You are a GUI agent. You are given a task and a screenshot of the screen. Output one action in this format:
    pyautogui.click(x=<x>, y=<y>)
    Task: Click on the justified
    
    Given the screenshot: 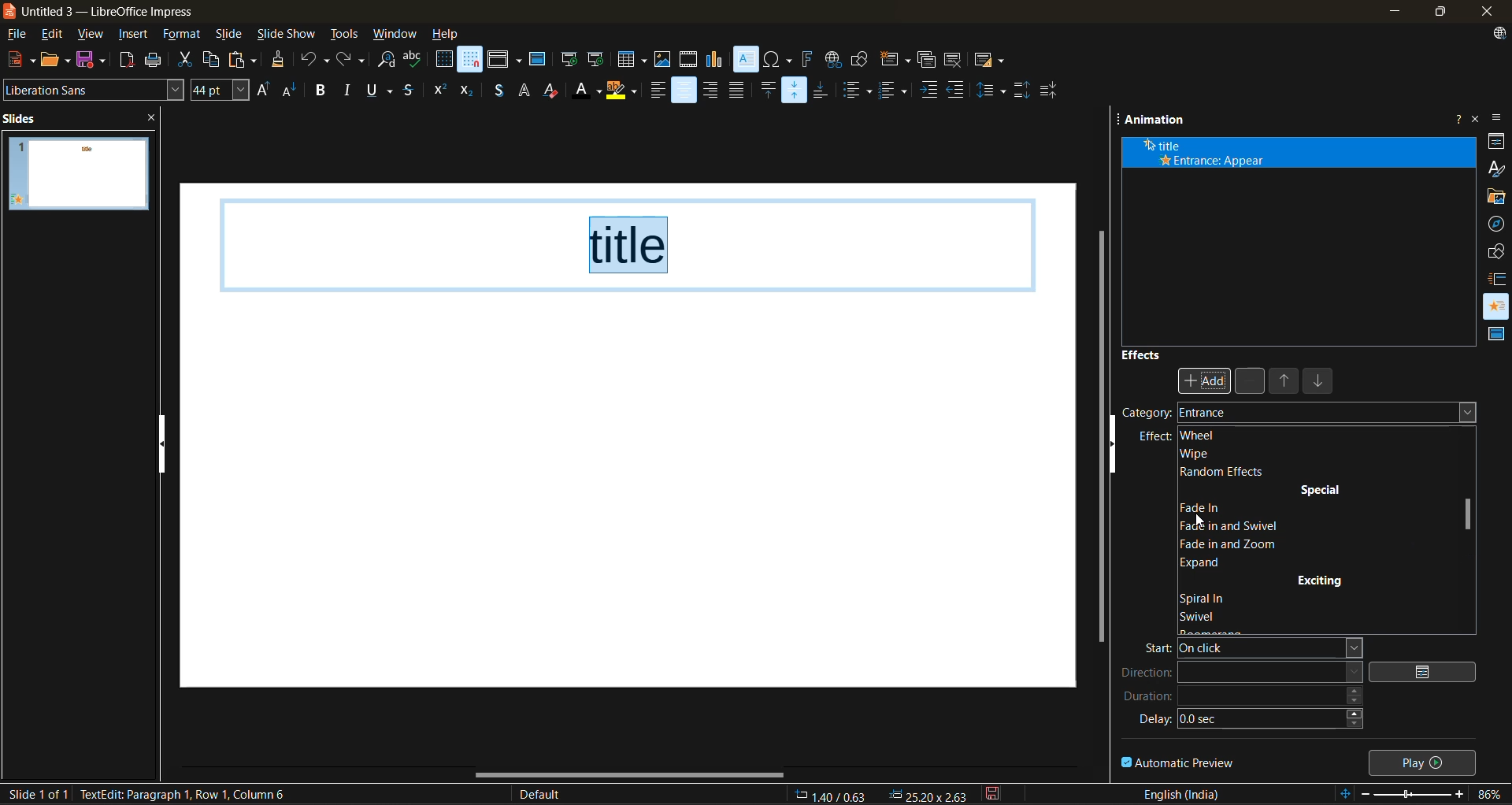 What is the action you would take?
    pyautogui.click(x=739, y=89)
    